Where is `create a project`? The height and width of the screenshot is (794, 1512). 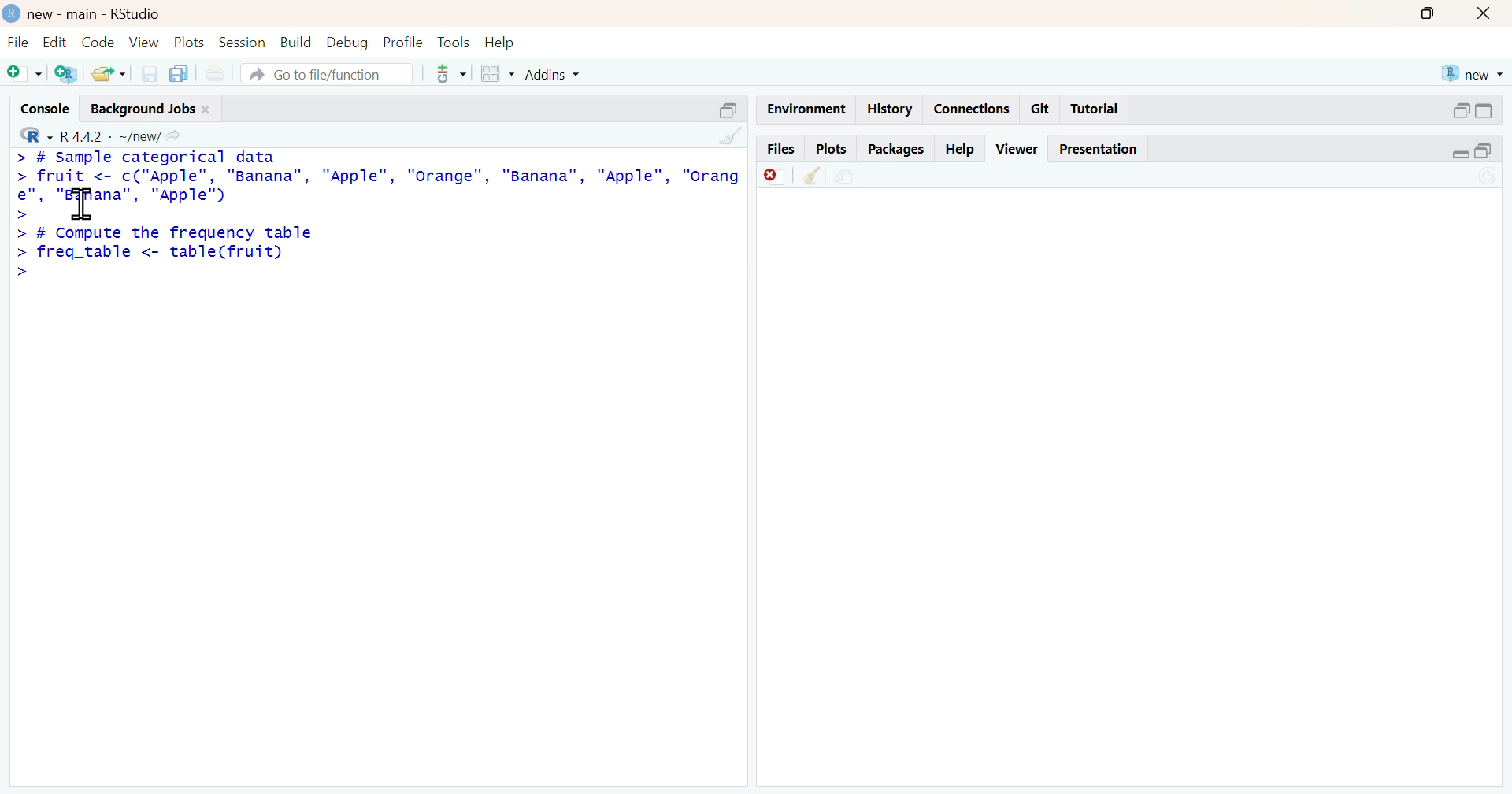 create a project is located at coordinates (69, 74).